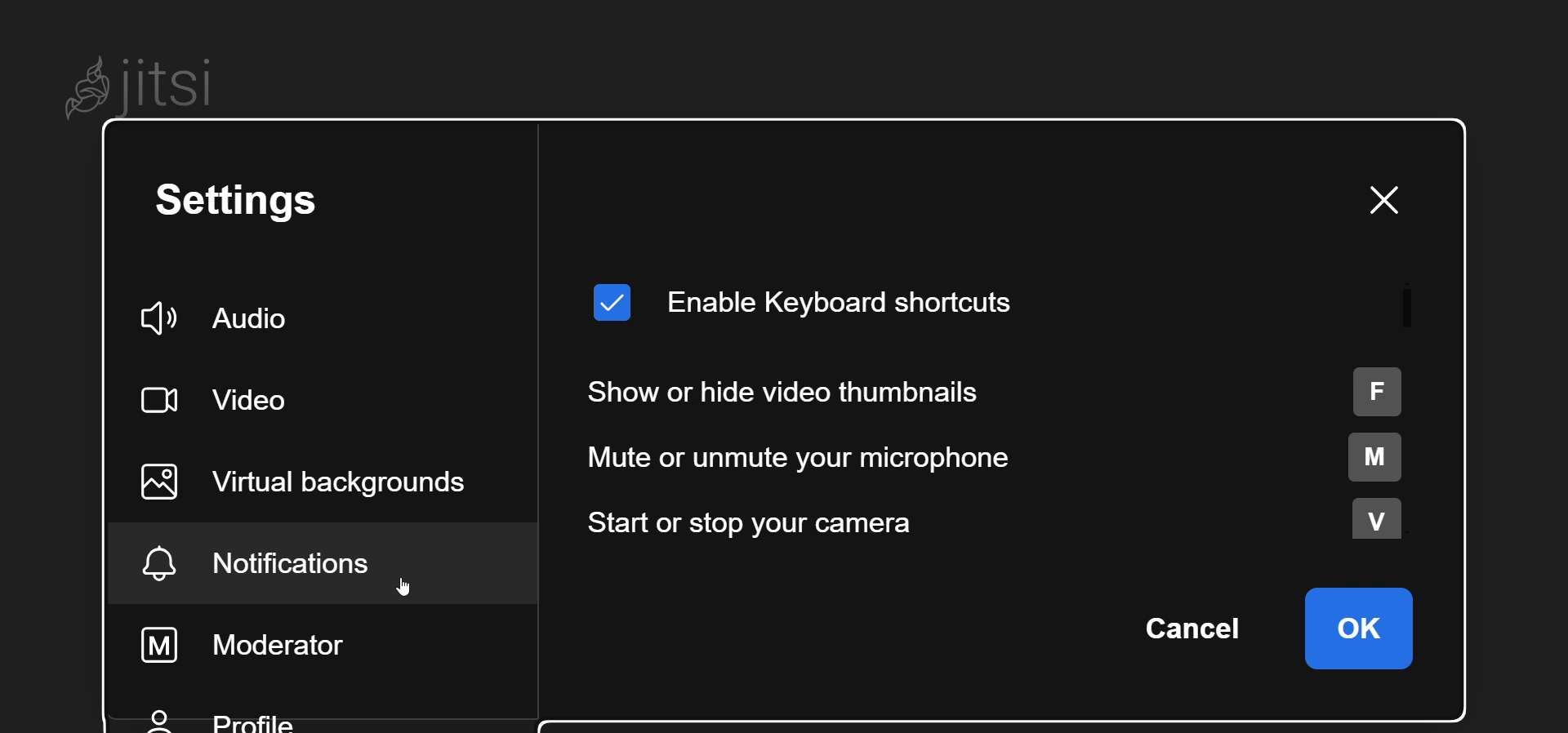  What do you see at coordinates (327, 483) in the screenshot?
I see `virtual background` at bounding box center [327, 483].